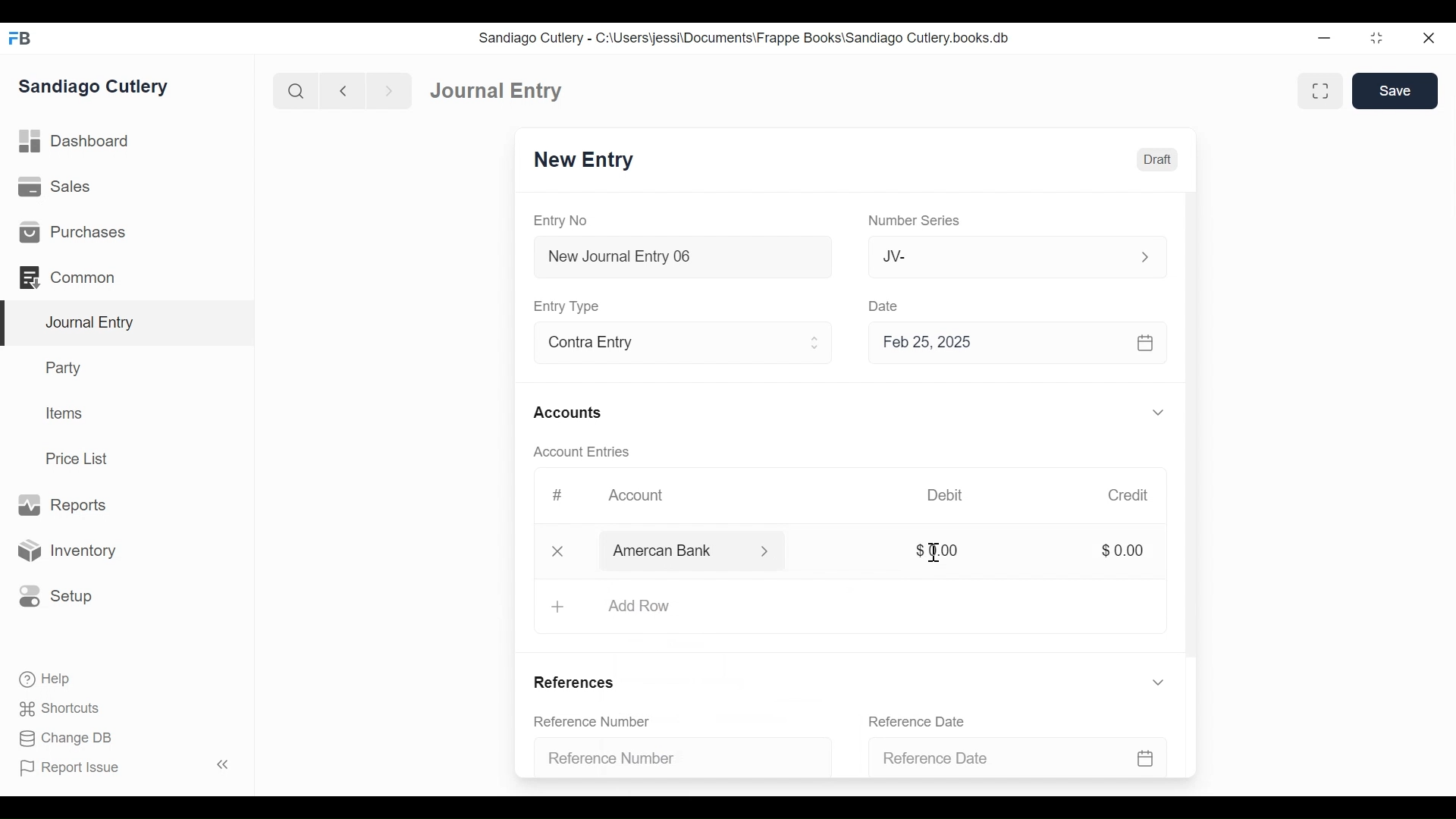 The width and height of the screenshot is (1456, 819). I want to click on Party, so click(67, 367).